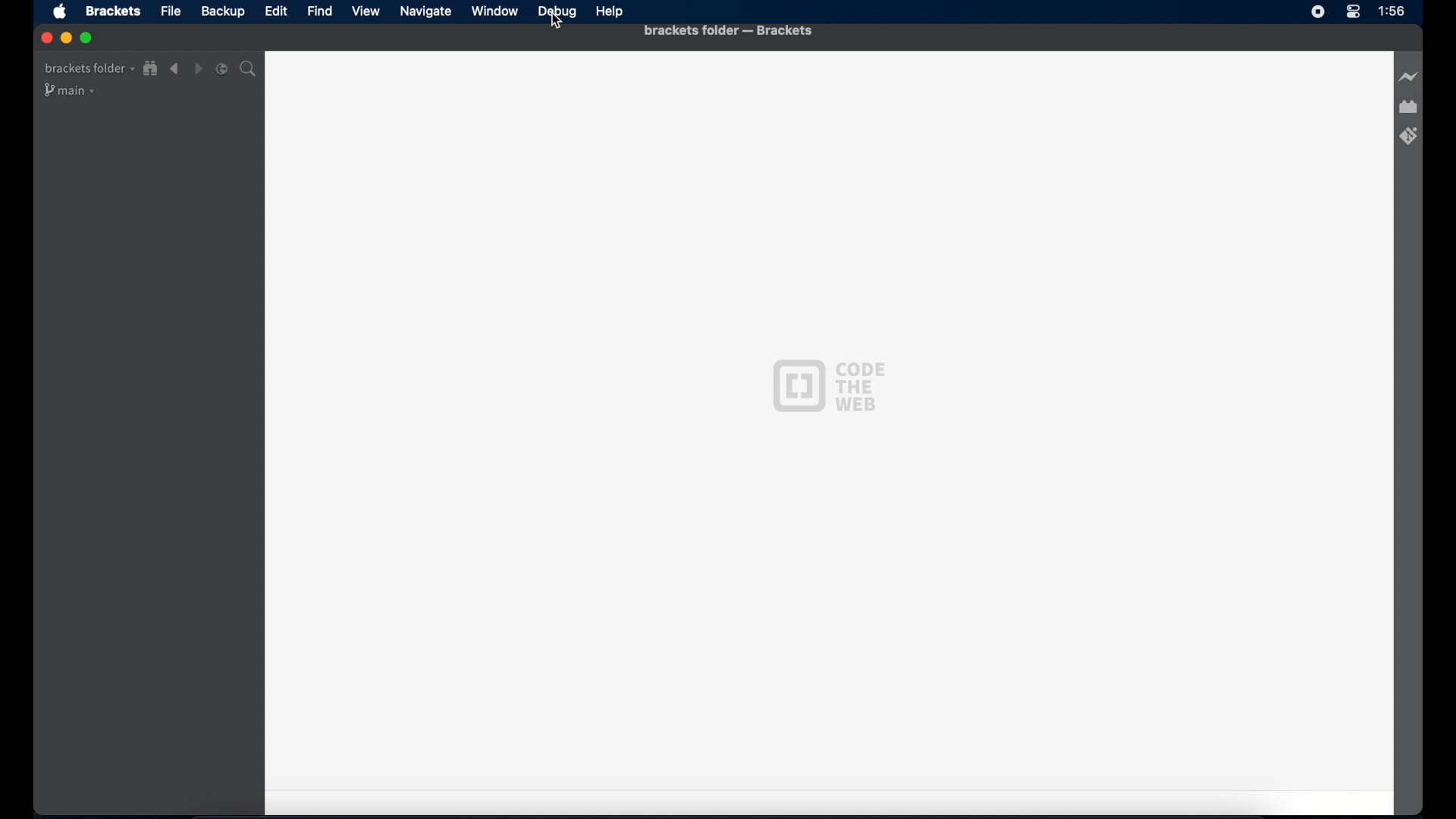 This screenshot has height=819, width=1456. Describe the element at coordinates (66, 39) in the screenshot. I see `minimize` at that location.